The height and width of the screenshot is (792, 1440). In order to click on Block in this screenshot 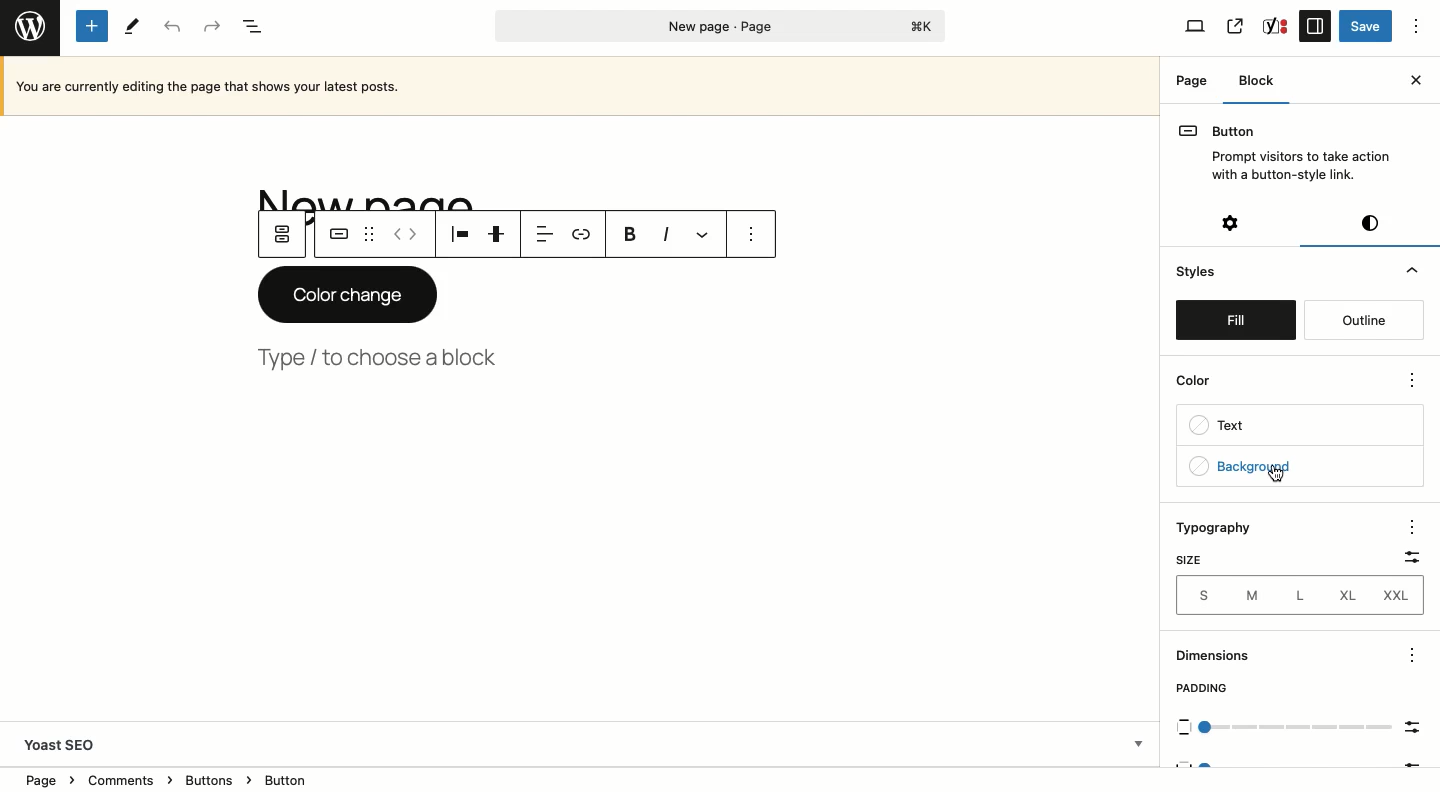, I will do `click(1257, 87)`.